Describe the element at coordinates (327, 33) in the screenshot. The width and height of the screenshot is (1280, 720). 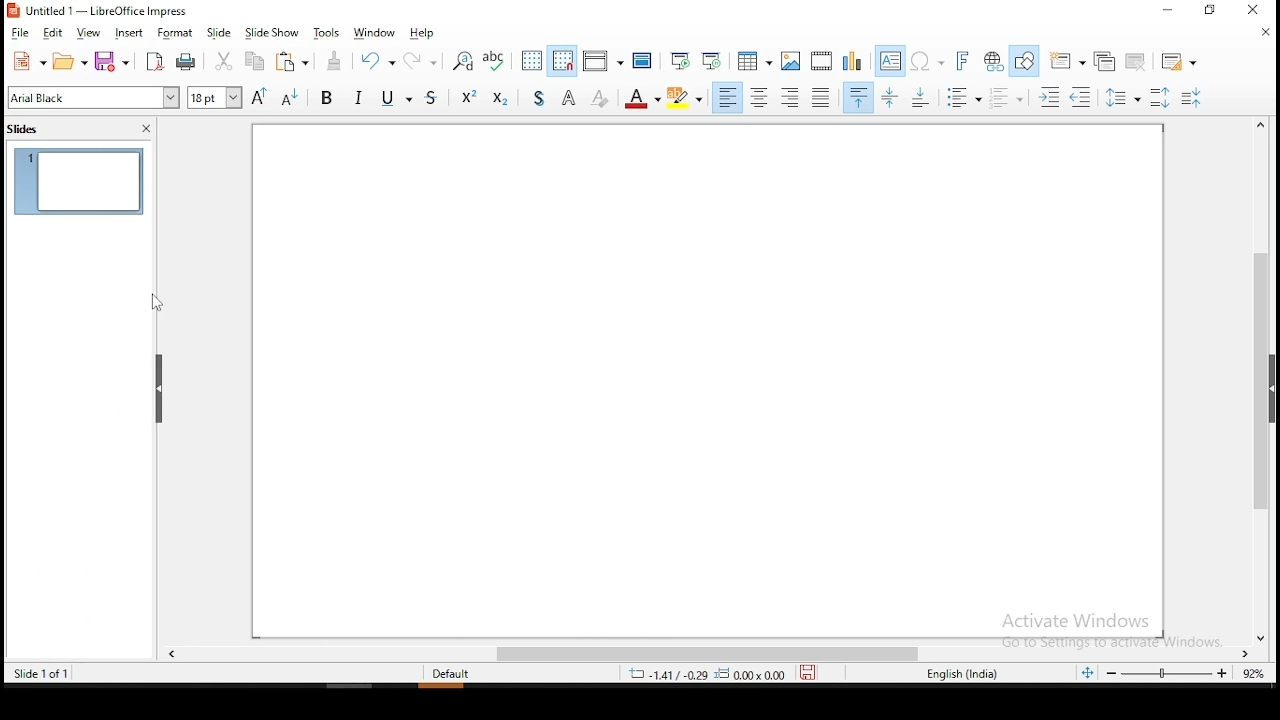
I see `tools` at that location.